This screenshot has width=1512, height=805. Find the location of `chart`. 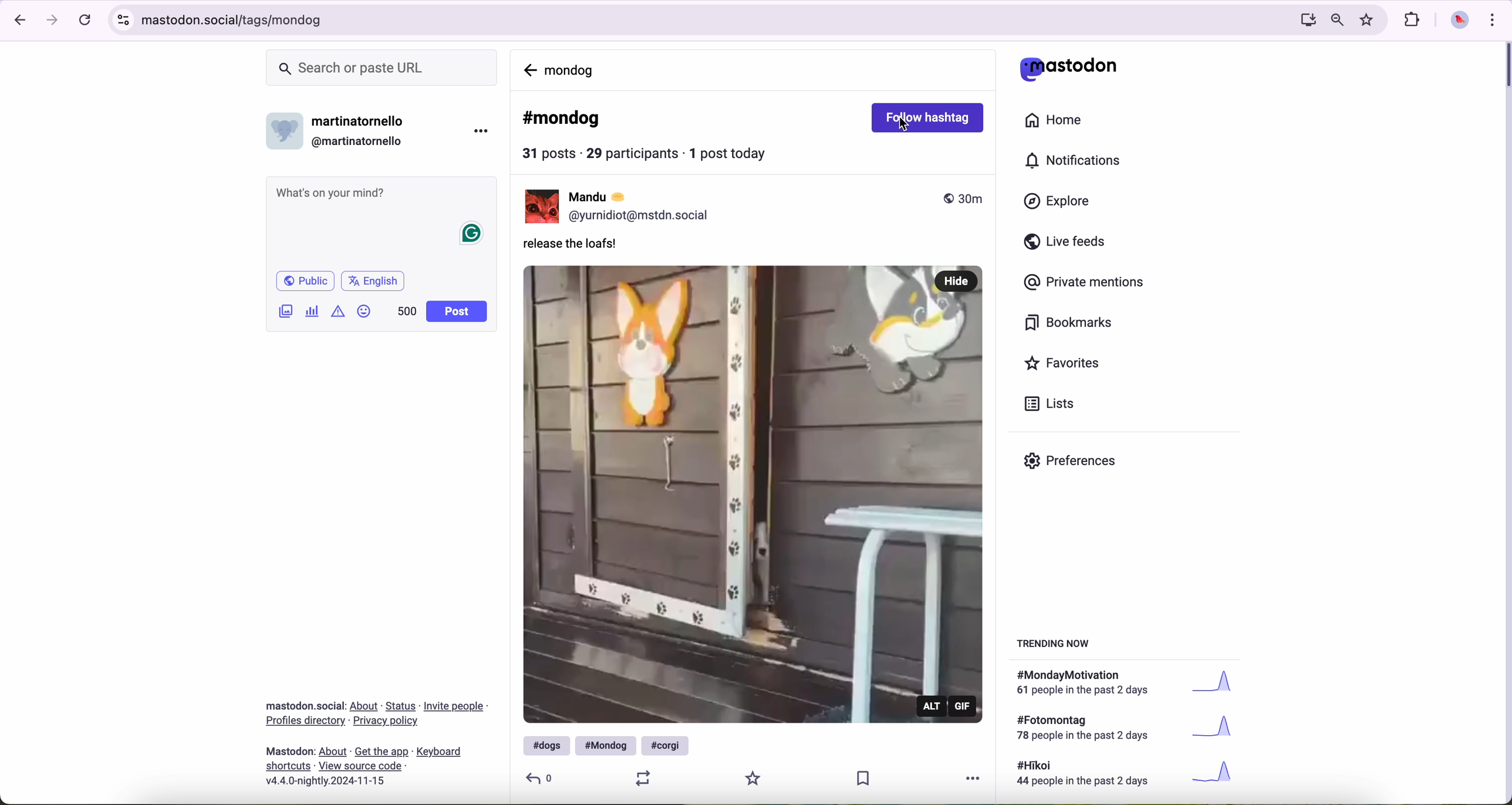

chart is located at coordinates (312, 312).